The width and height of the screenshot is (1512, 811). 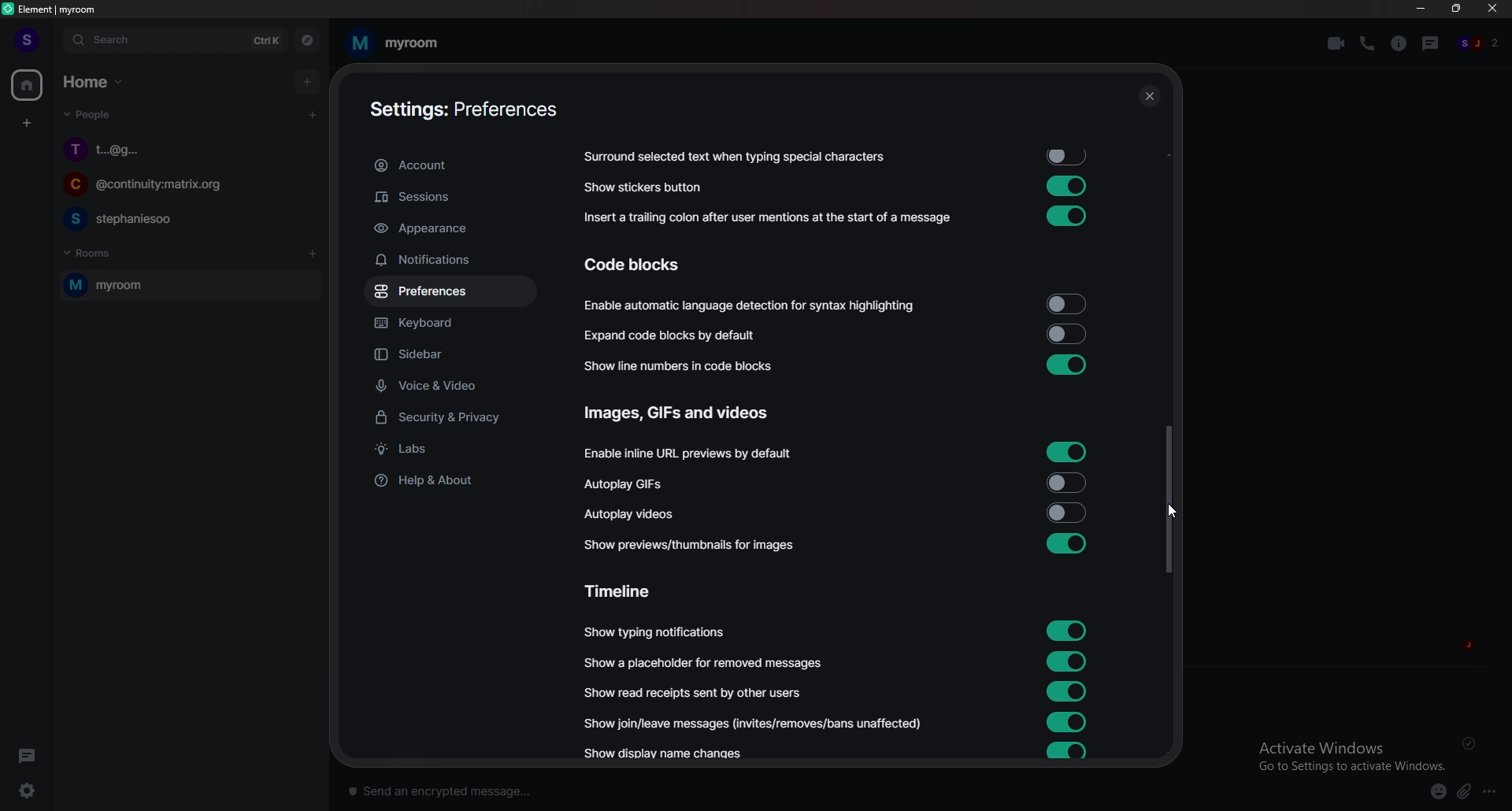 What do you see at coordinates (1493, 12) in the screenshot?
I see `close` at bounding box center [1493, 12].